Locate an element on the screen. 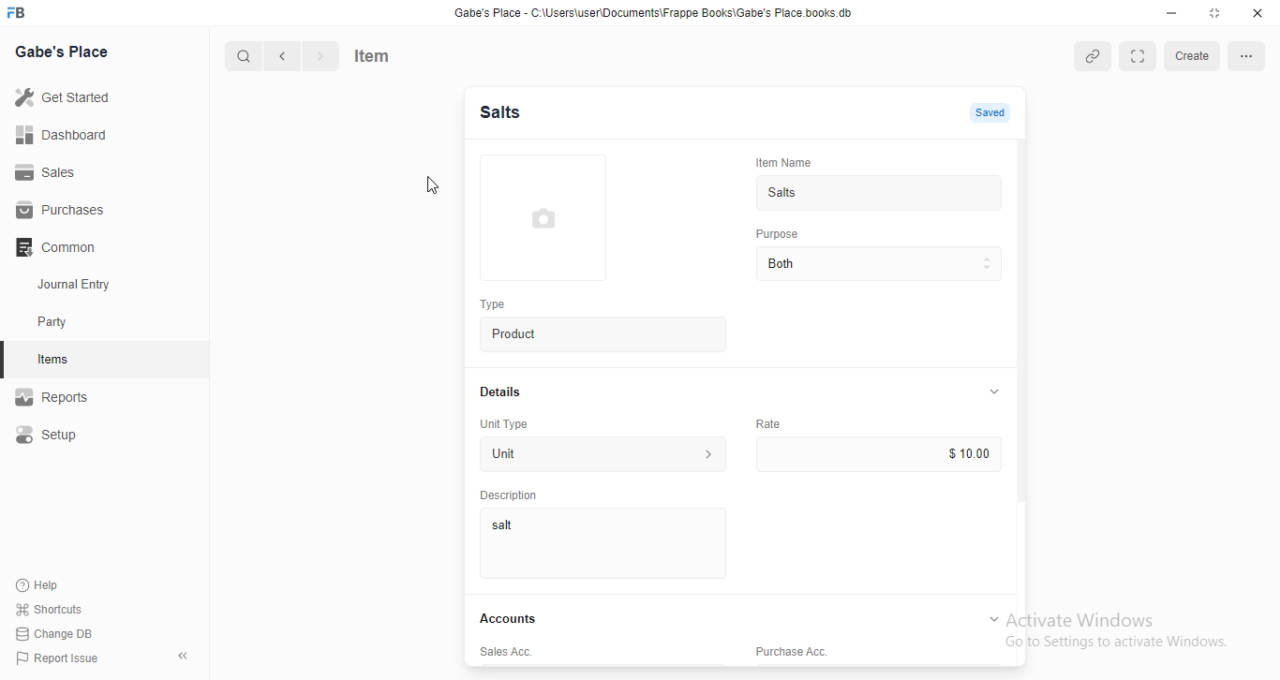 This screenshot has width=1280, height=680. Salts is located at coordinates (787, 190).